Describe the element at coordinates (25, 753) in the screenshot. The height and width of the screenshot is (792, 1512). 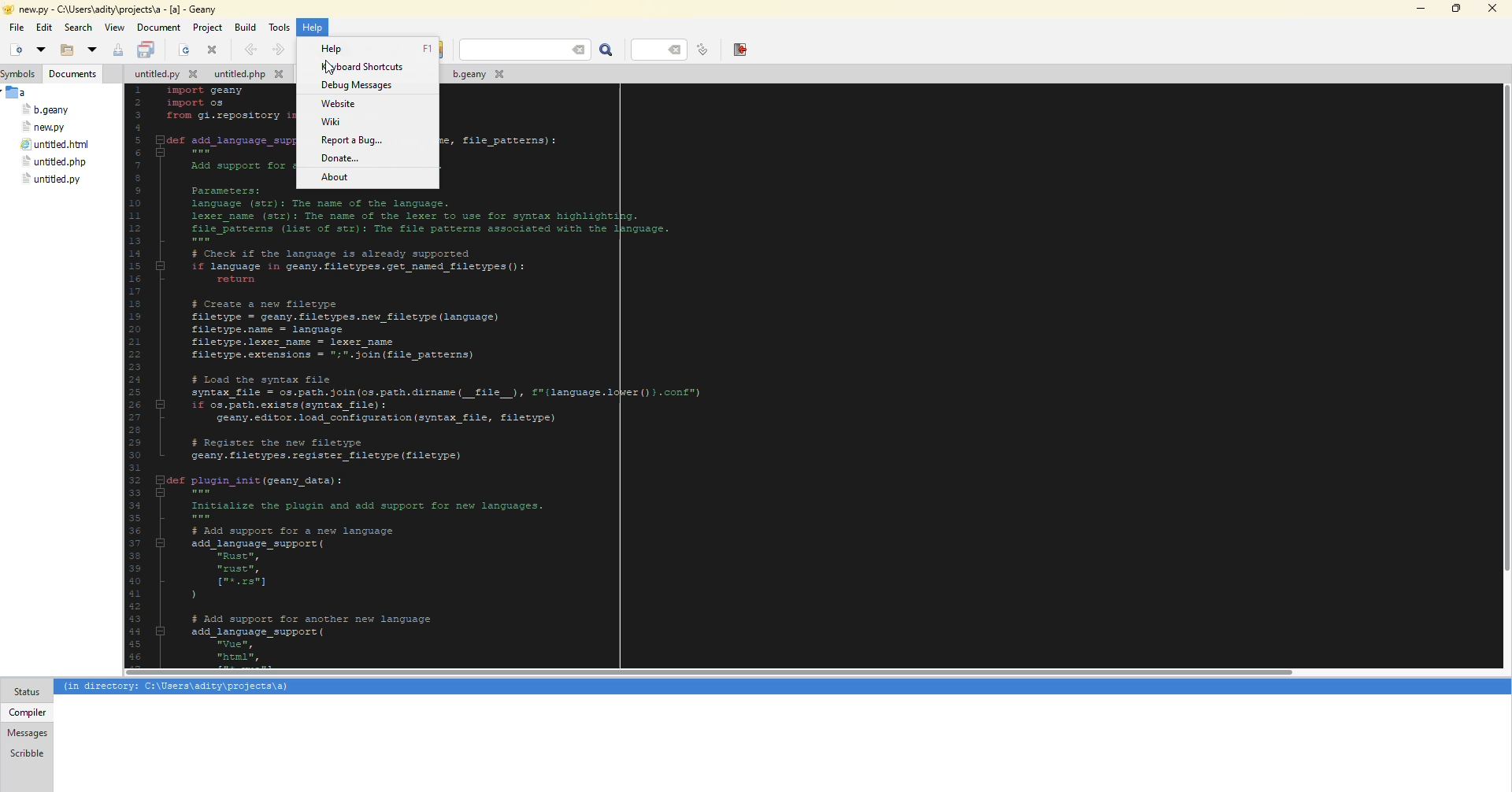
I see `scribble` at that location.